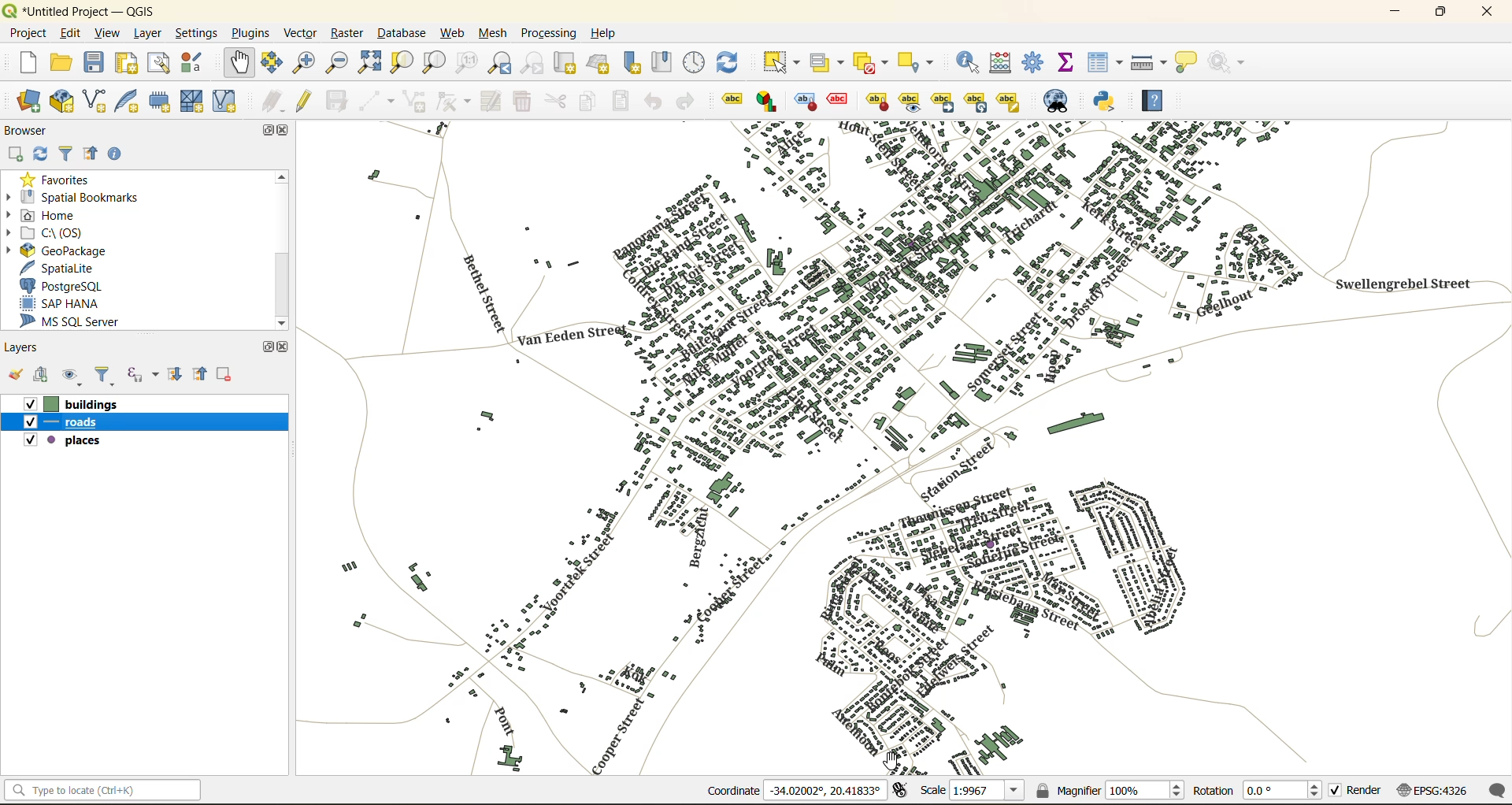  Describe the element at coordinates (636, 65) in the screenshot. I see `new spatial bookmark` at that location.